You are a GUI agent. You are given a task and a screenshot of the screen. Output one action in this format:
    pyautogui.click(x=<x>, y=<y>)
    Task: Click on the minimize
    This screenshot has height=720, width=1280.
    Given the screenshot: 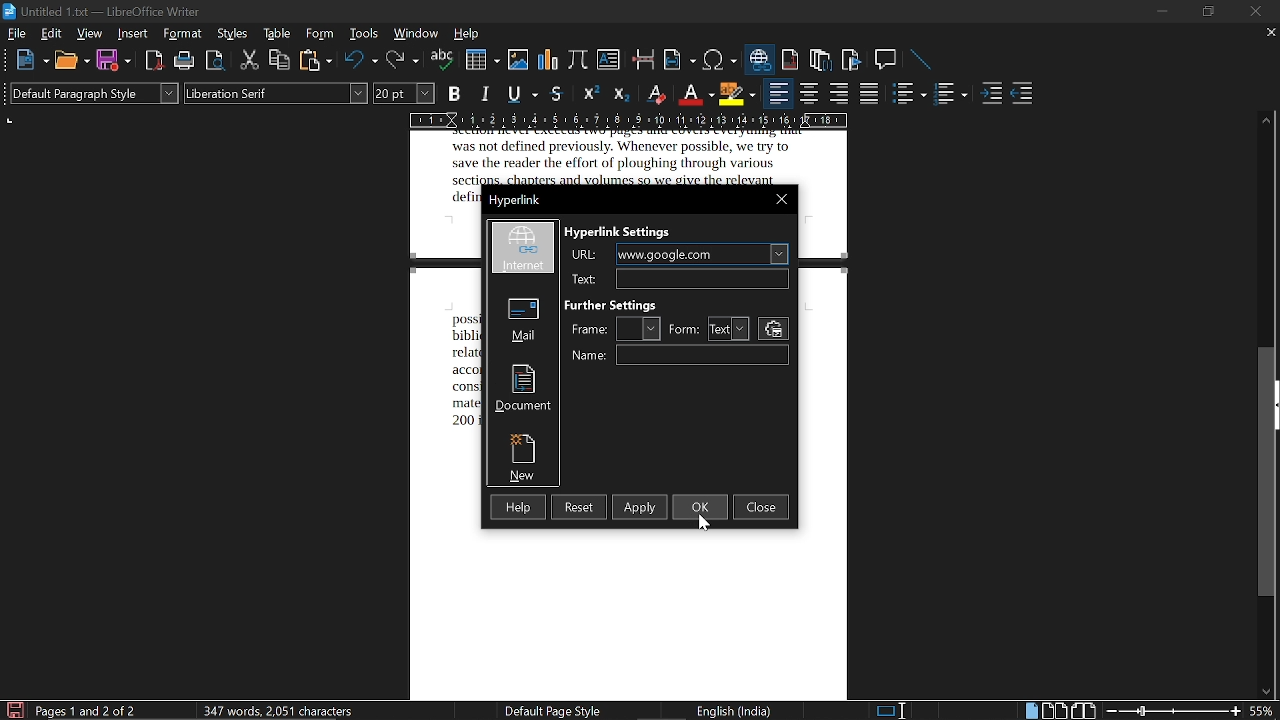 What is the action you would take?
    pyautogui.click(x=1162, y=12)
    